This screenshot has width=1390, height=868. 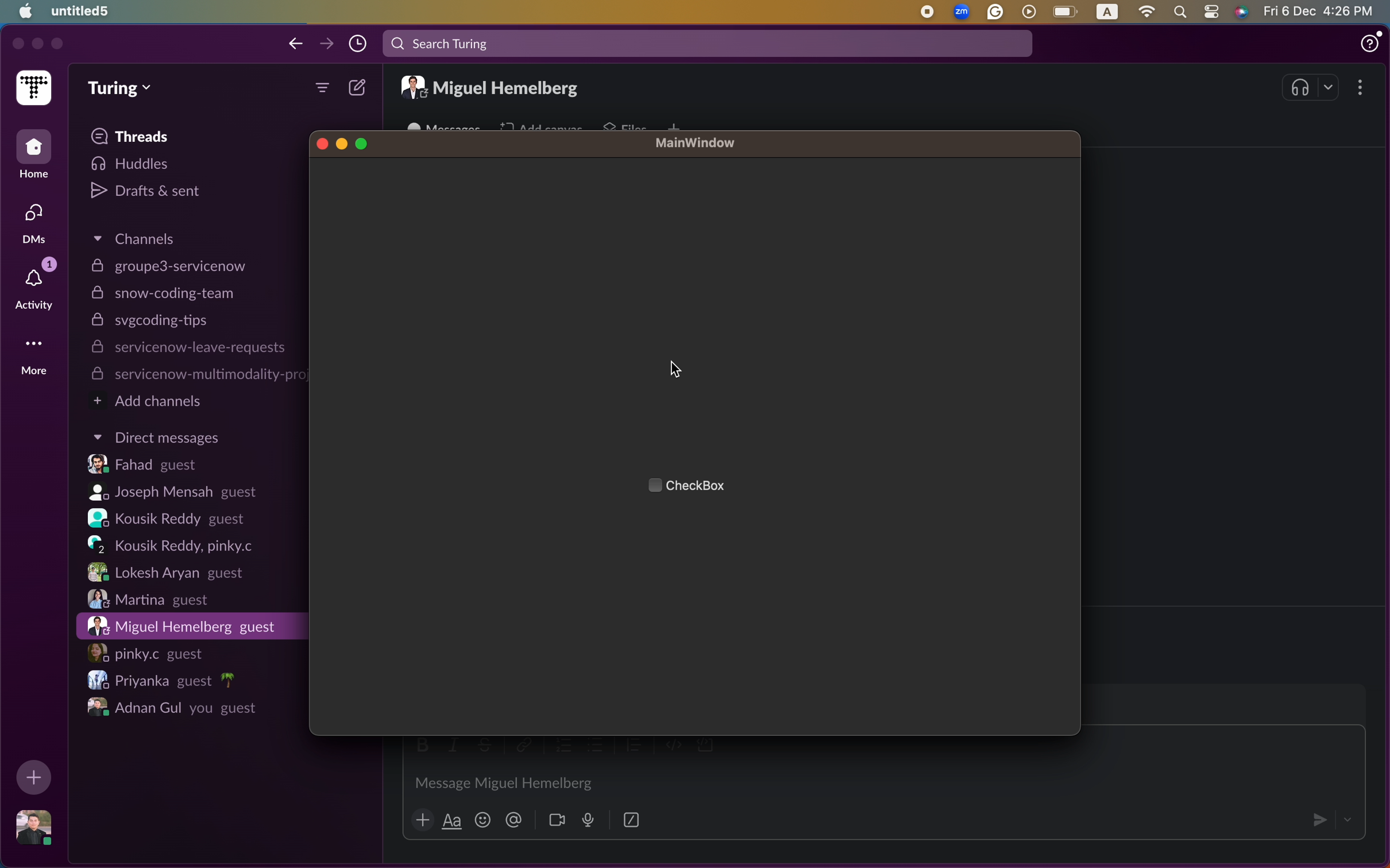 I want to click on search, so click(x=708, y=44).